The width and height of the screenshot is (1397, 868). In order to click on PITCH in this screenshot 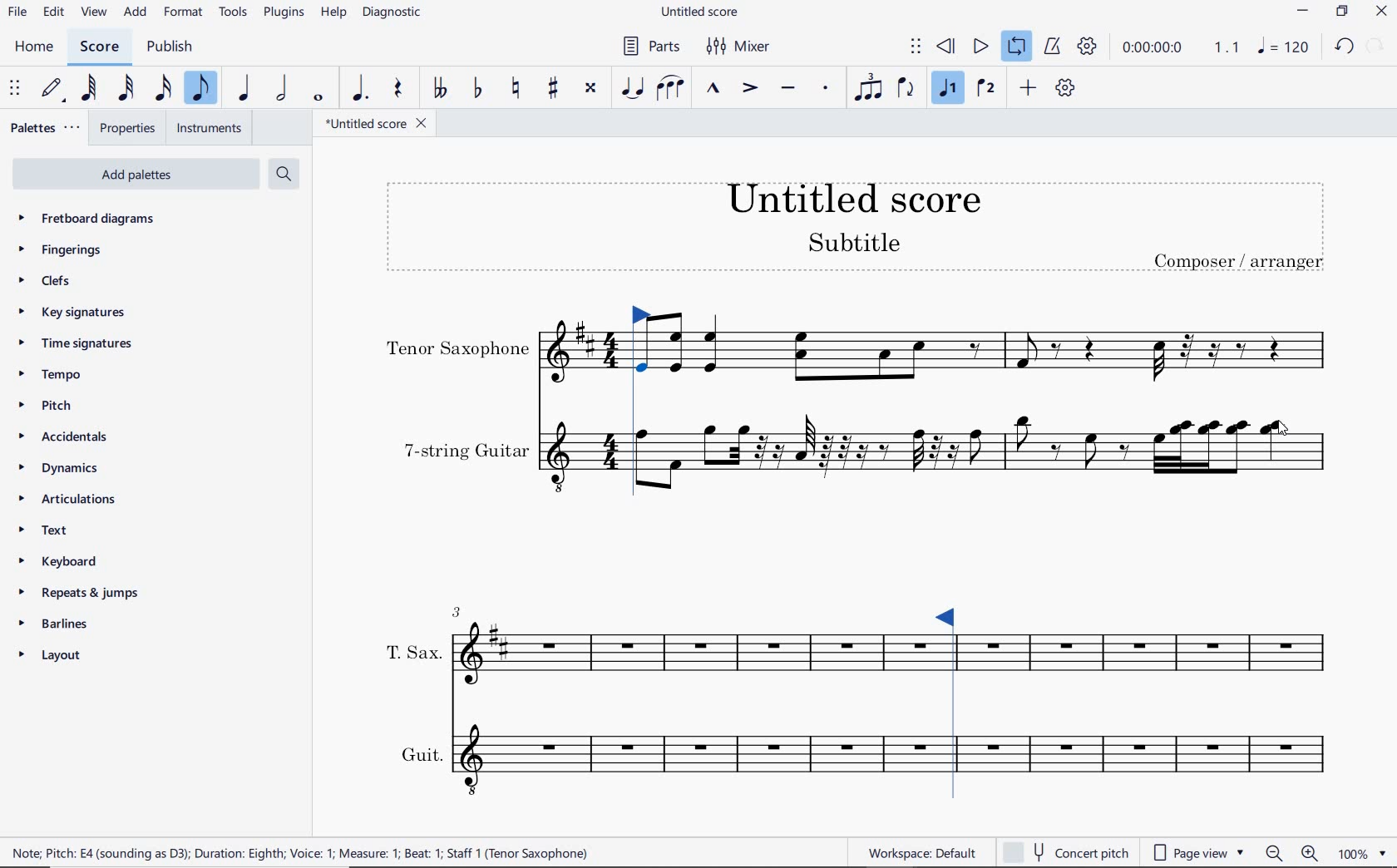, I will do `click(43, 406)`.